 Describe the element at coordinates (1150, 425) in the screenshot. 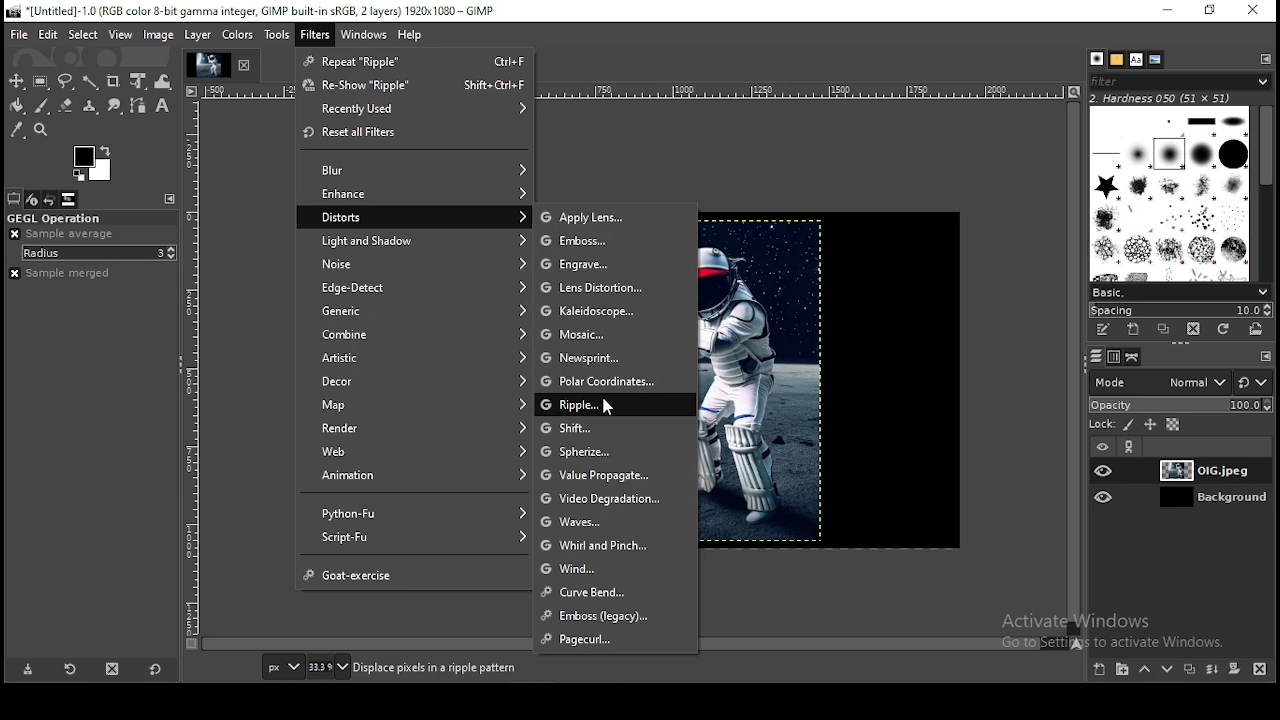

I see `lock position and size` at that location.